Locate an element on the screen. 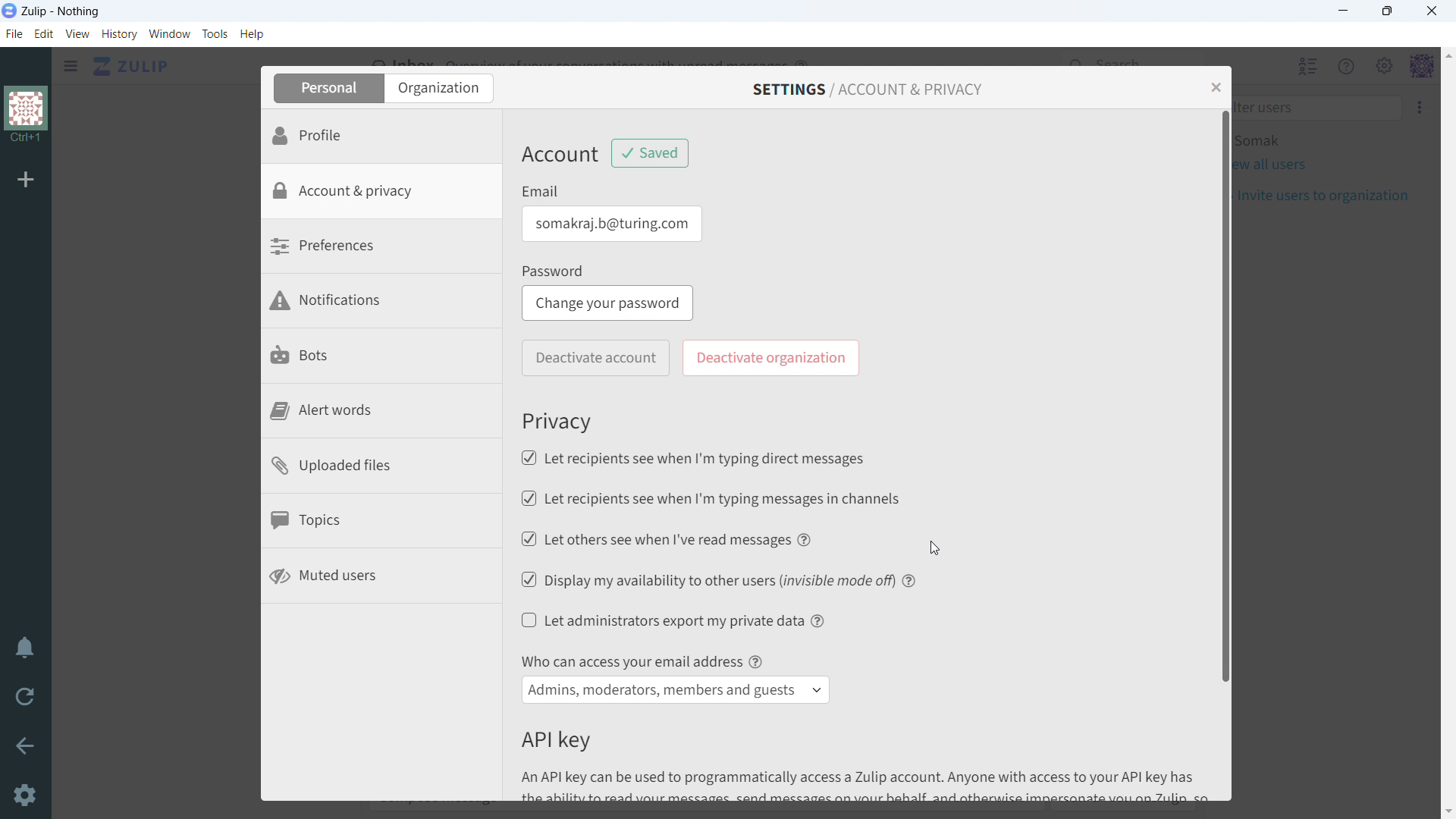 Image resolution: width=1456 pixels, height=819 pixels. help menu is located at coordinates (1348, 67).